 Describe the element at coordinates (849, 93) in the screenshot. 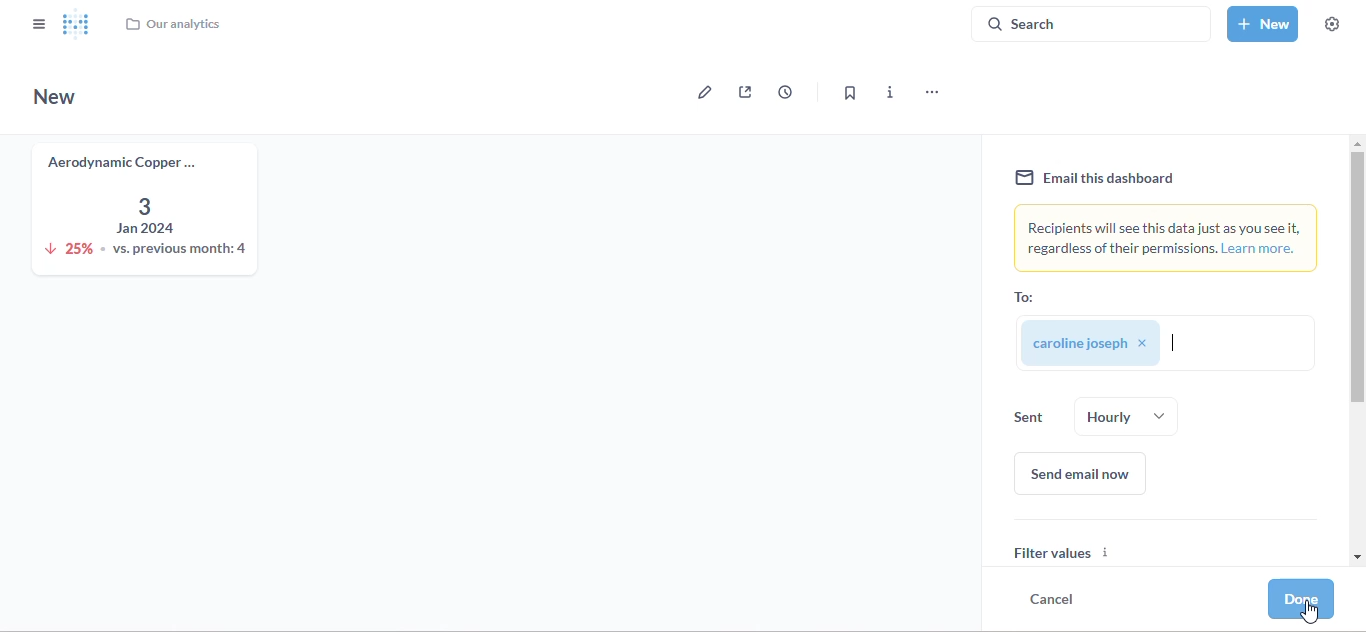

I see `bookmark` at that location.